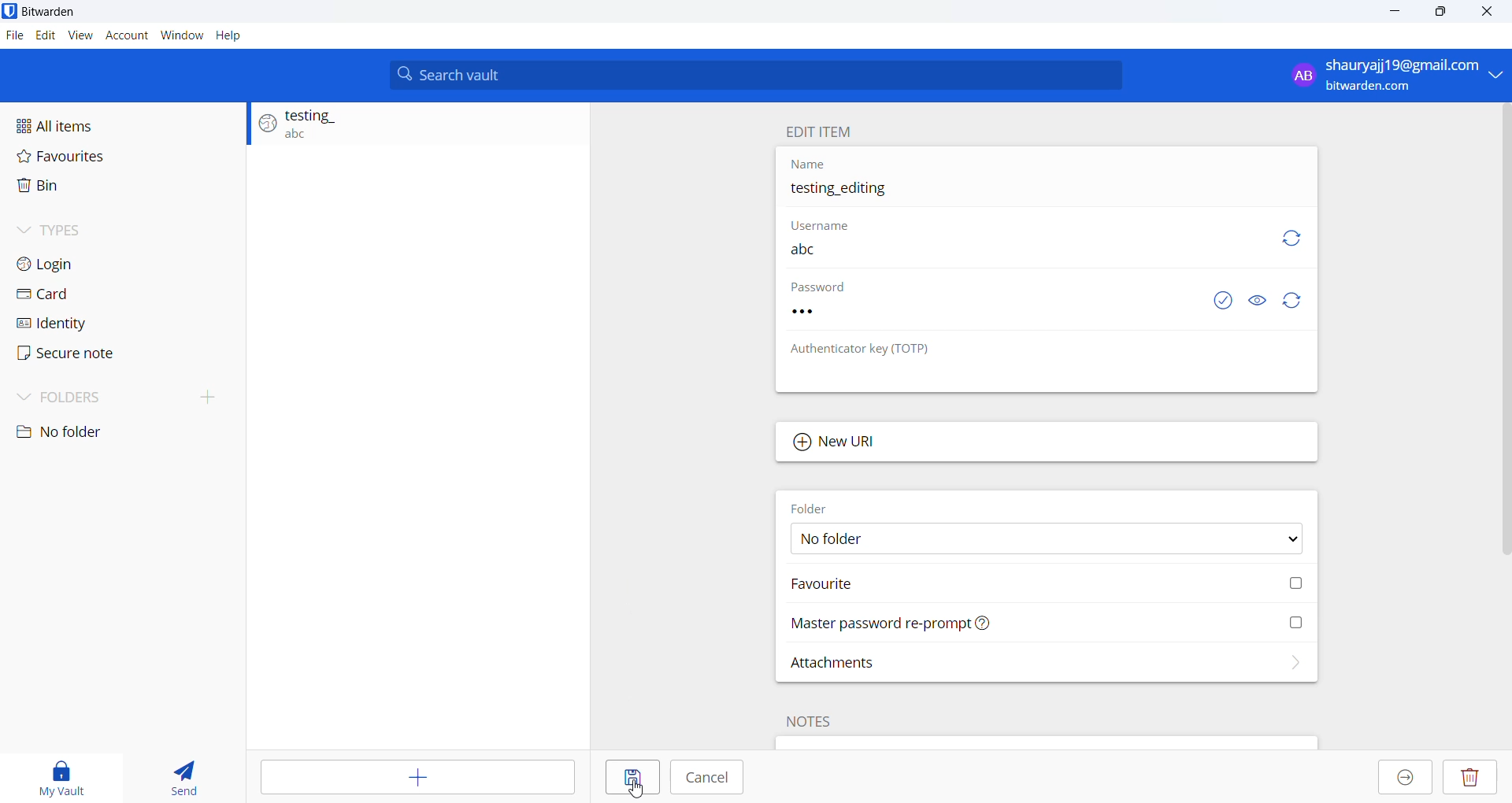  I want to click on send, so click(186, 774).